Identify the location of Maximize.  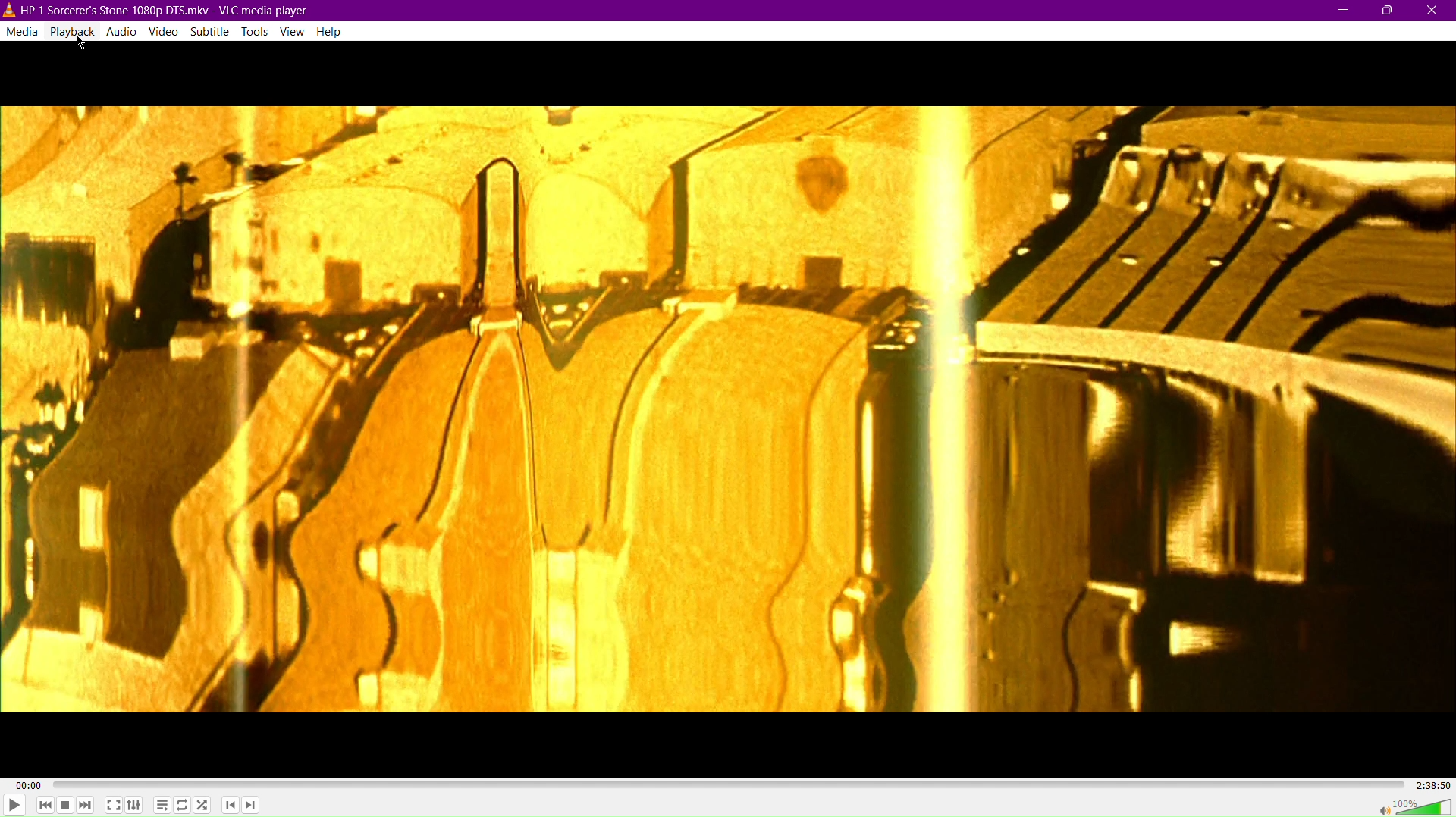
(1389, 11).